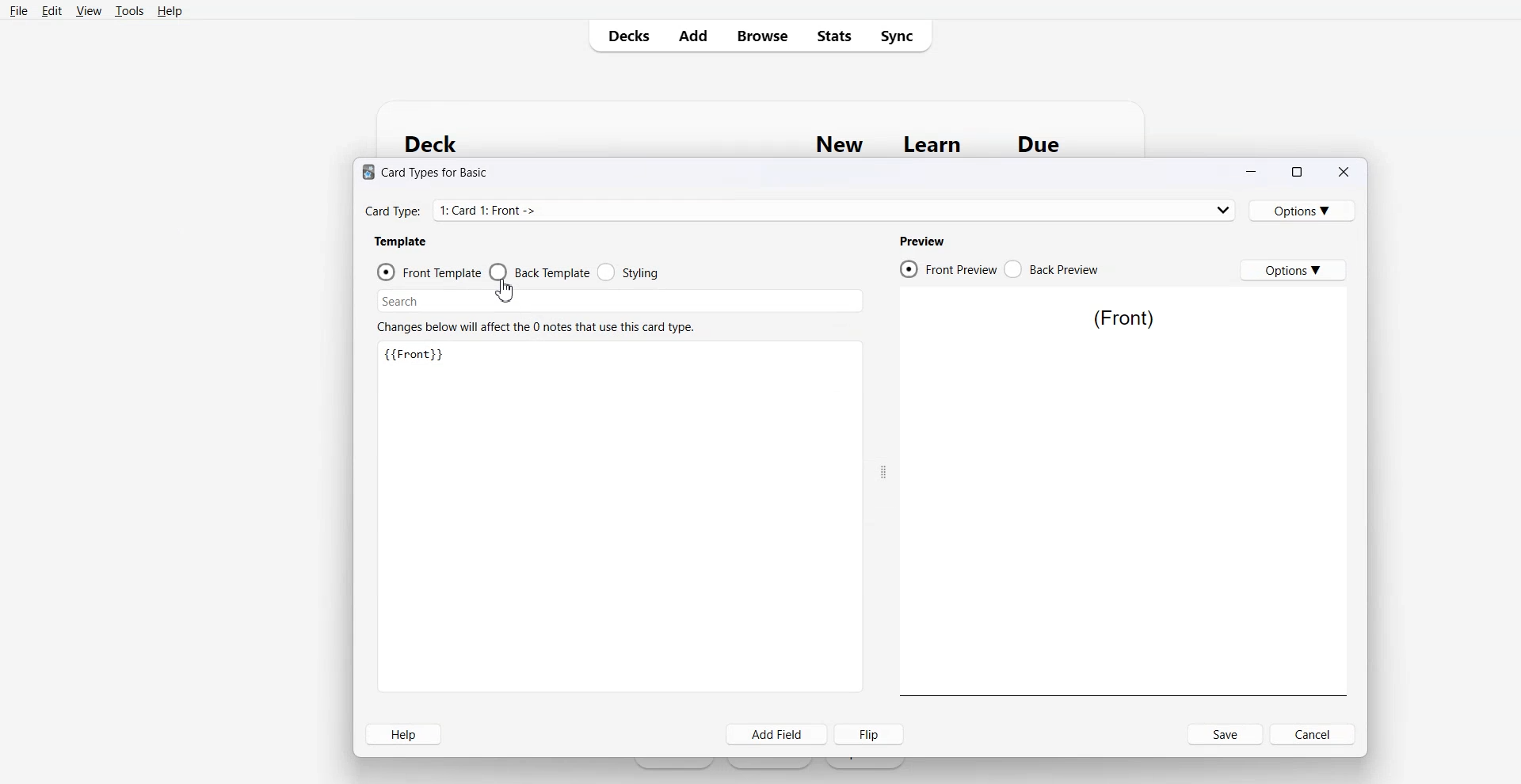  Describe the element at coordinates (608, 301) in the screenshot. I see `Search bar` at that location.